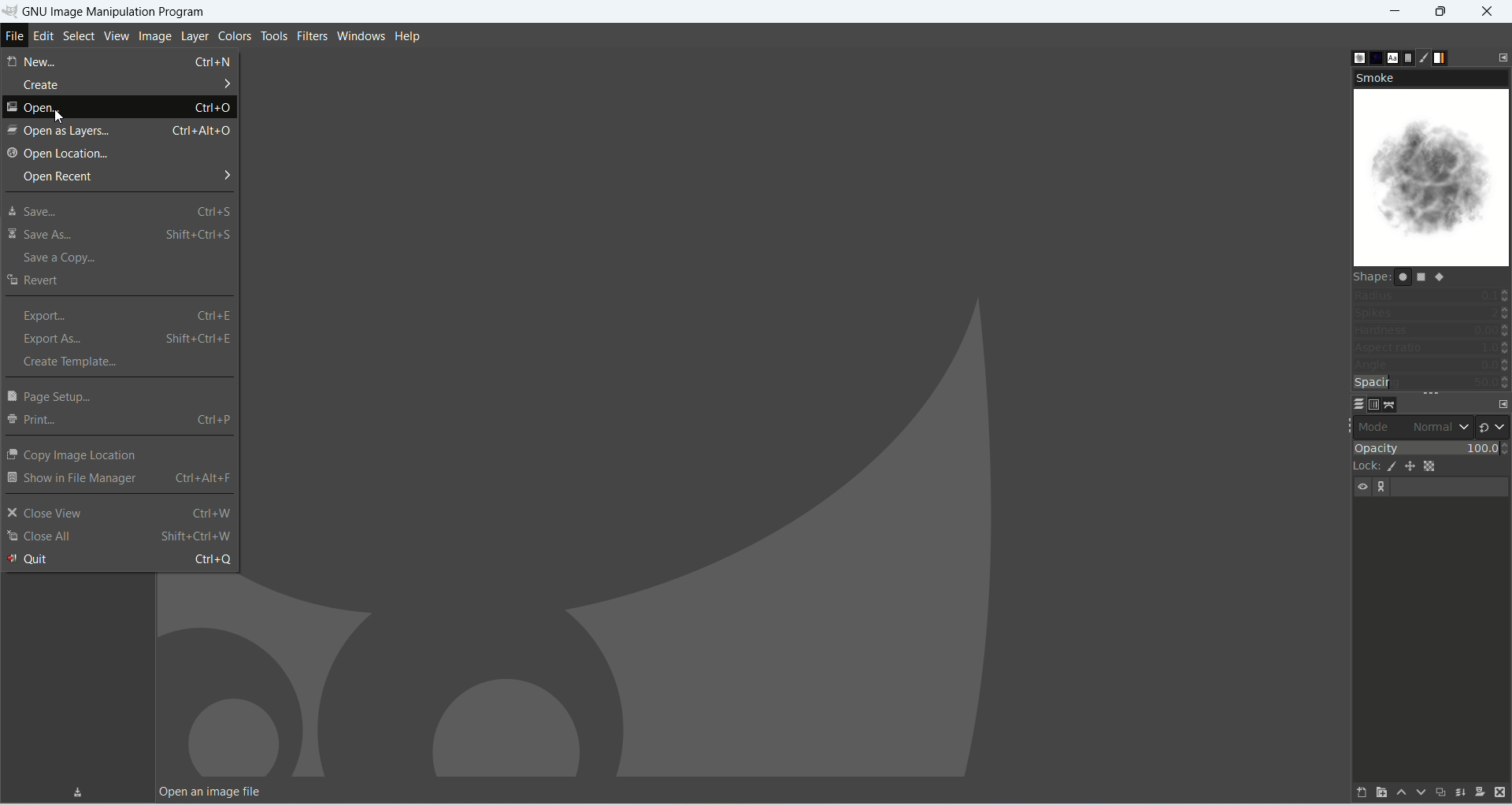  What do you see at coordinates (65, 259) in the screenshot?
I see `save a copy` at bounding box center [65, 259].